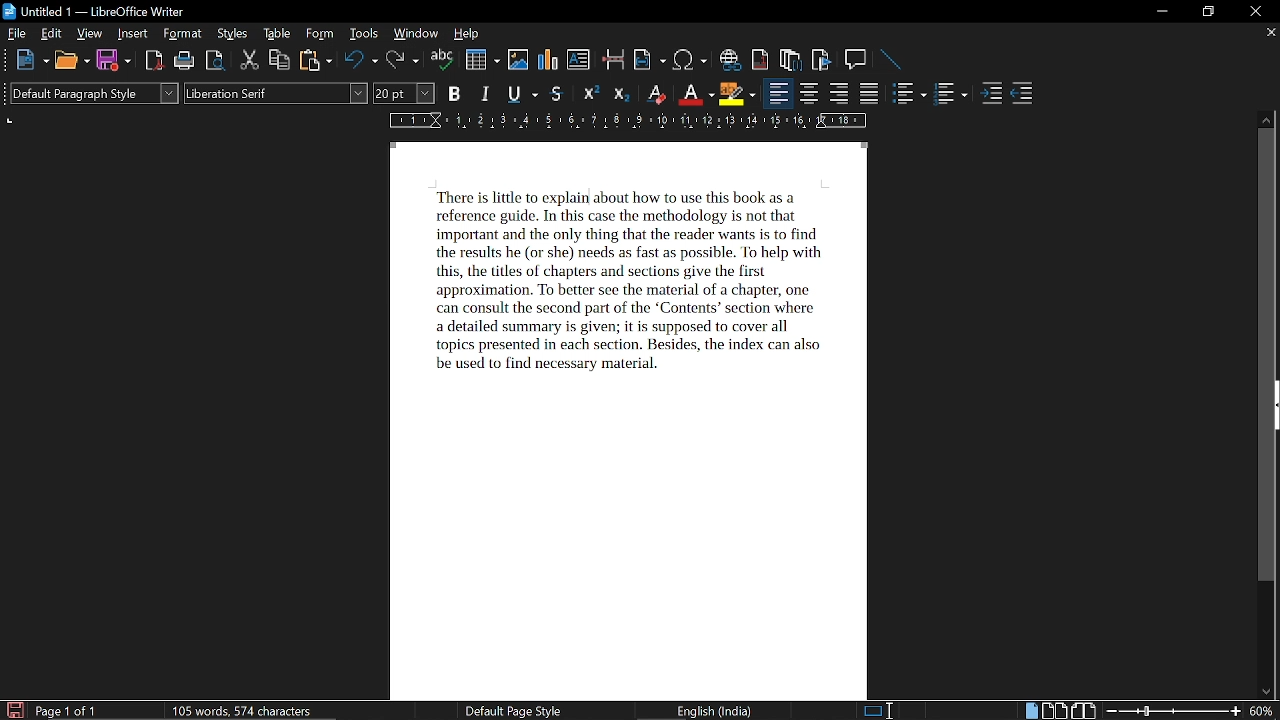  What do you see at coordinates (877, 710) in the screenshot?
I see `selection method` at bounding box center [877, 710].